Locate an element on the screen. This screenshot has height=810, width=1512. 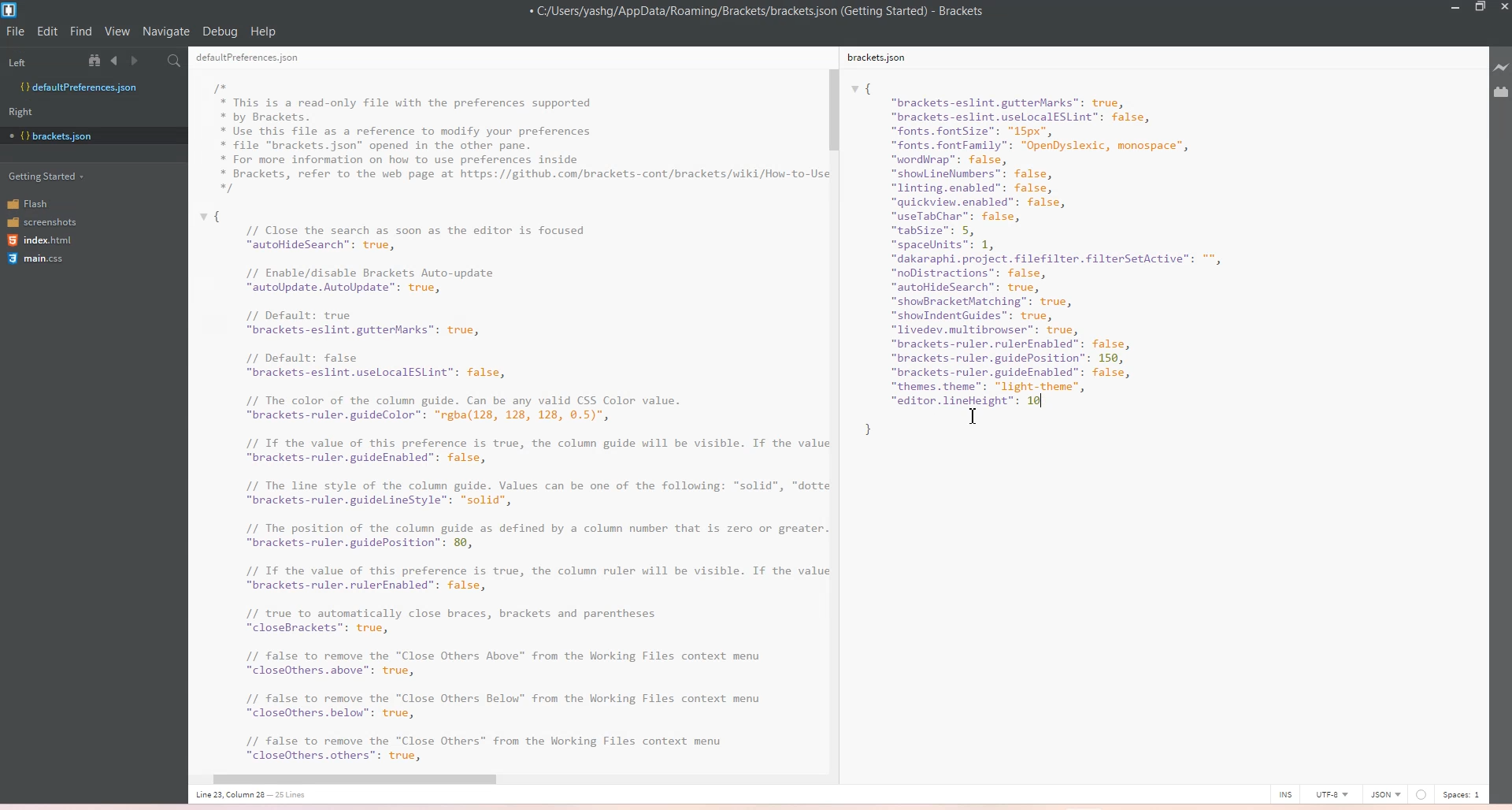
View is located at coordinates (117, 32).